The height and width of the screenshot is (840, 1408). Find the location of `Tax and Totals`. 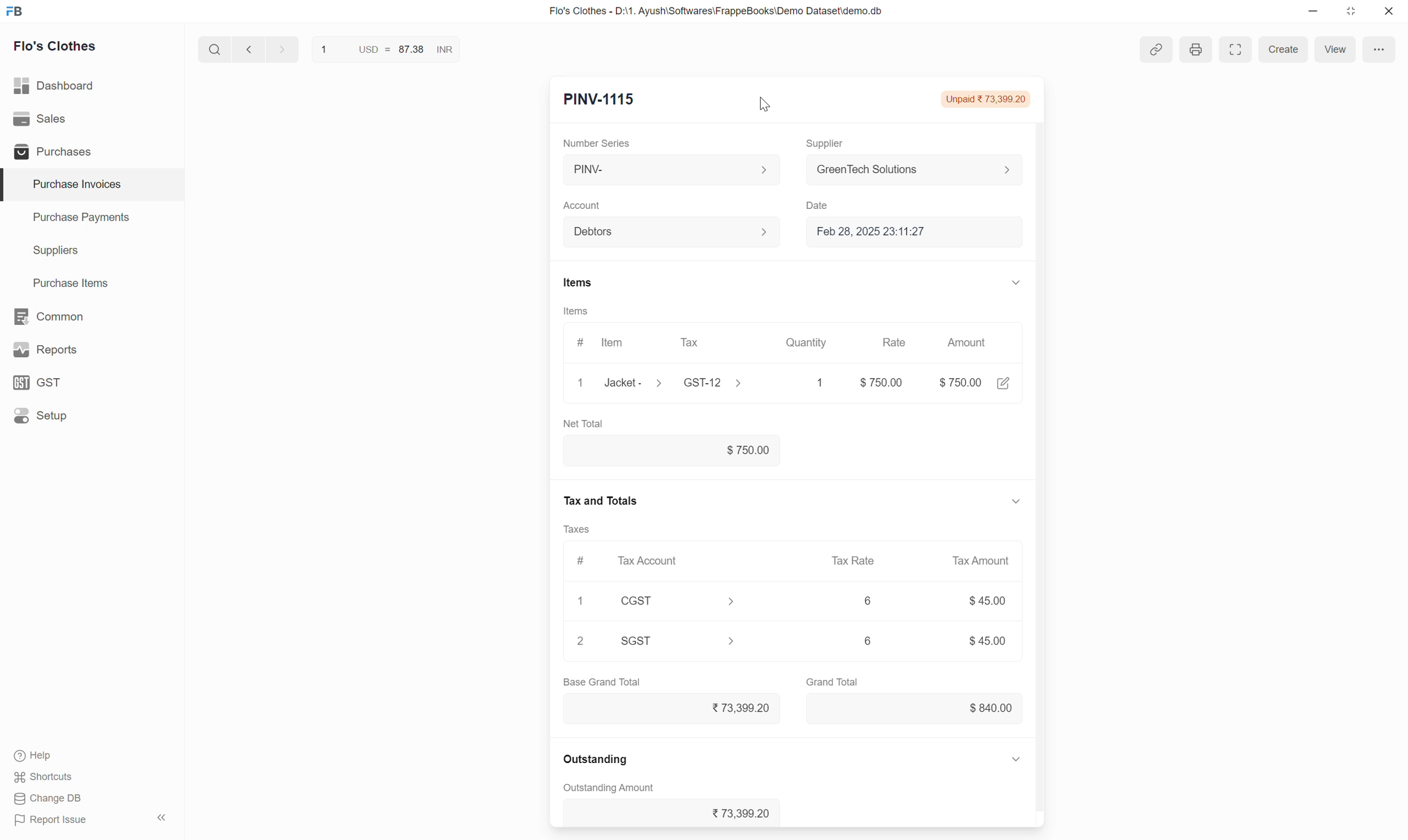

Tax and Totals is located at coordinates (599, 500).